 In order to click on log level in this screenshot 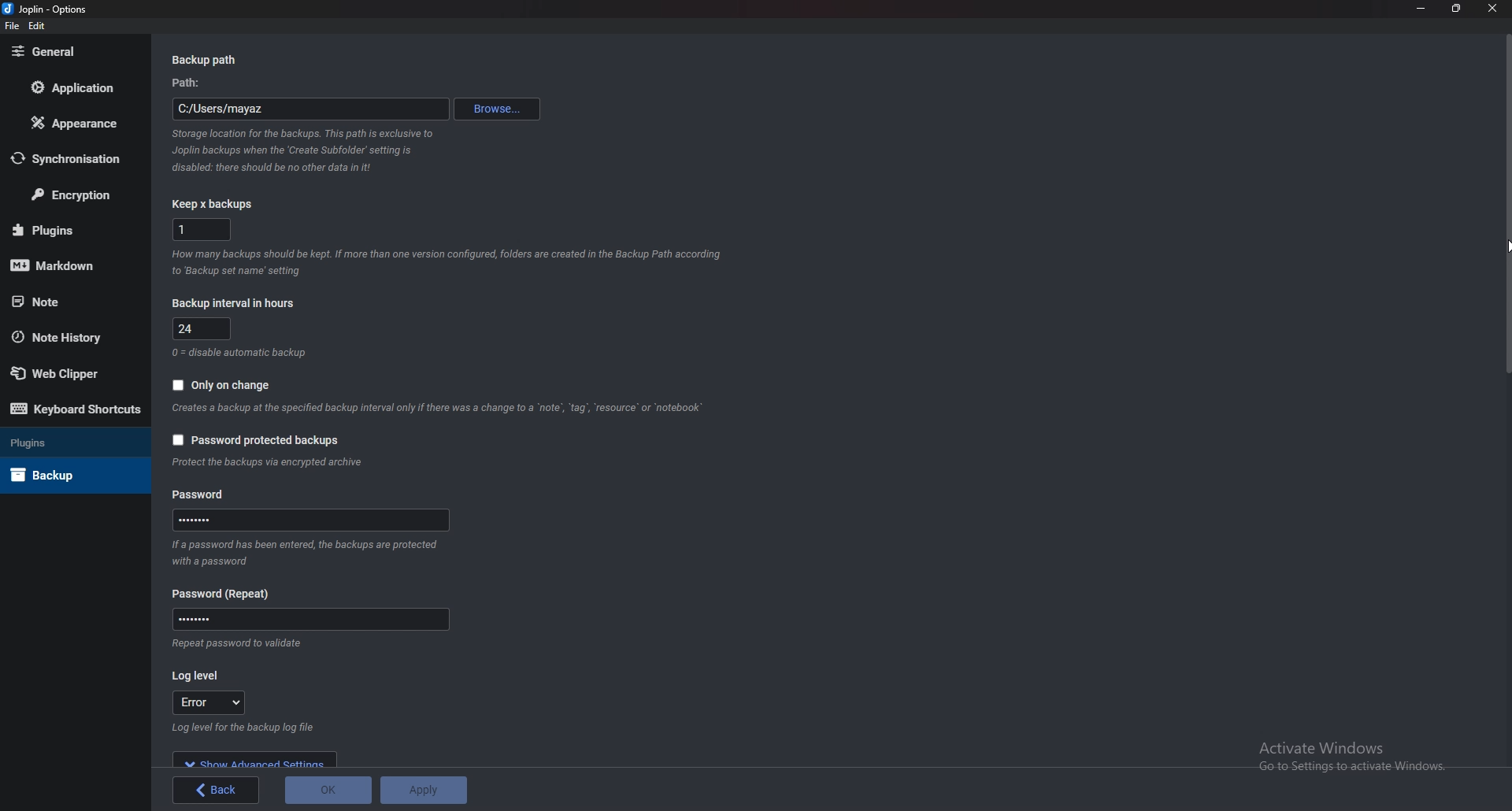, I will do `click(209, 702)`.